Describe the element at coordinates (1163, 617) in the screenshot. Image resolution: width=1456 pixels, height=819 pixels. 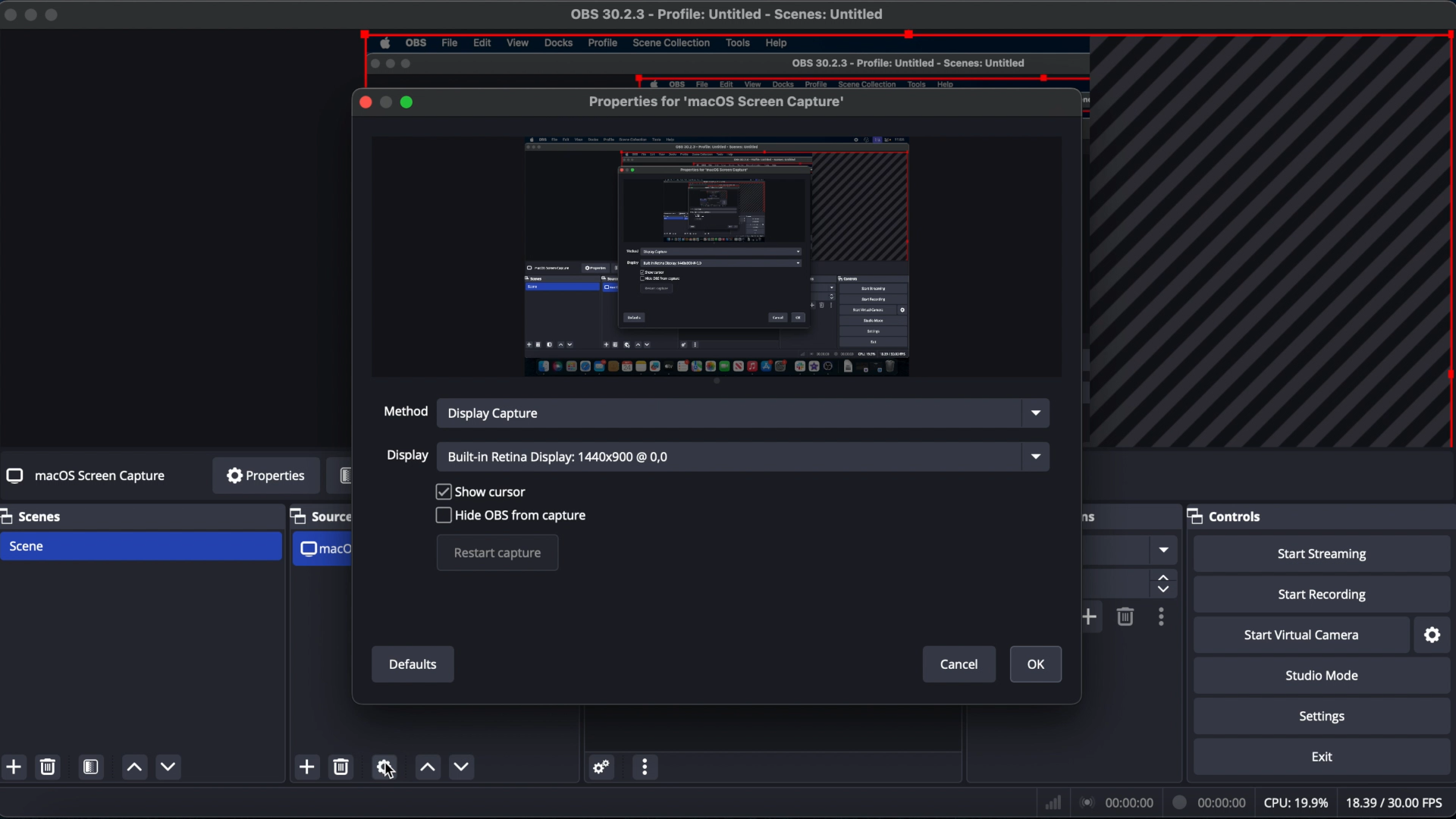
I see `configurable transition properties` at that location.